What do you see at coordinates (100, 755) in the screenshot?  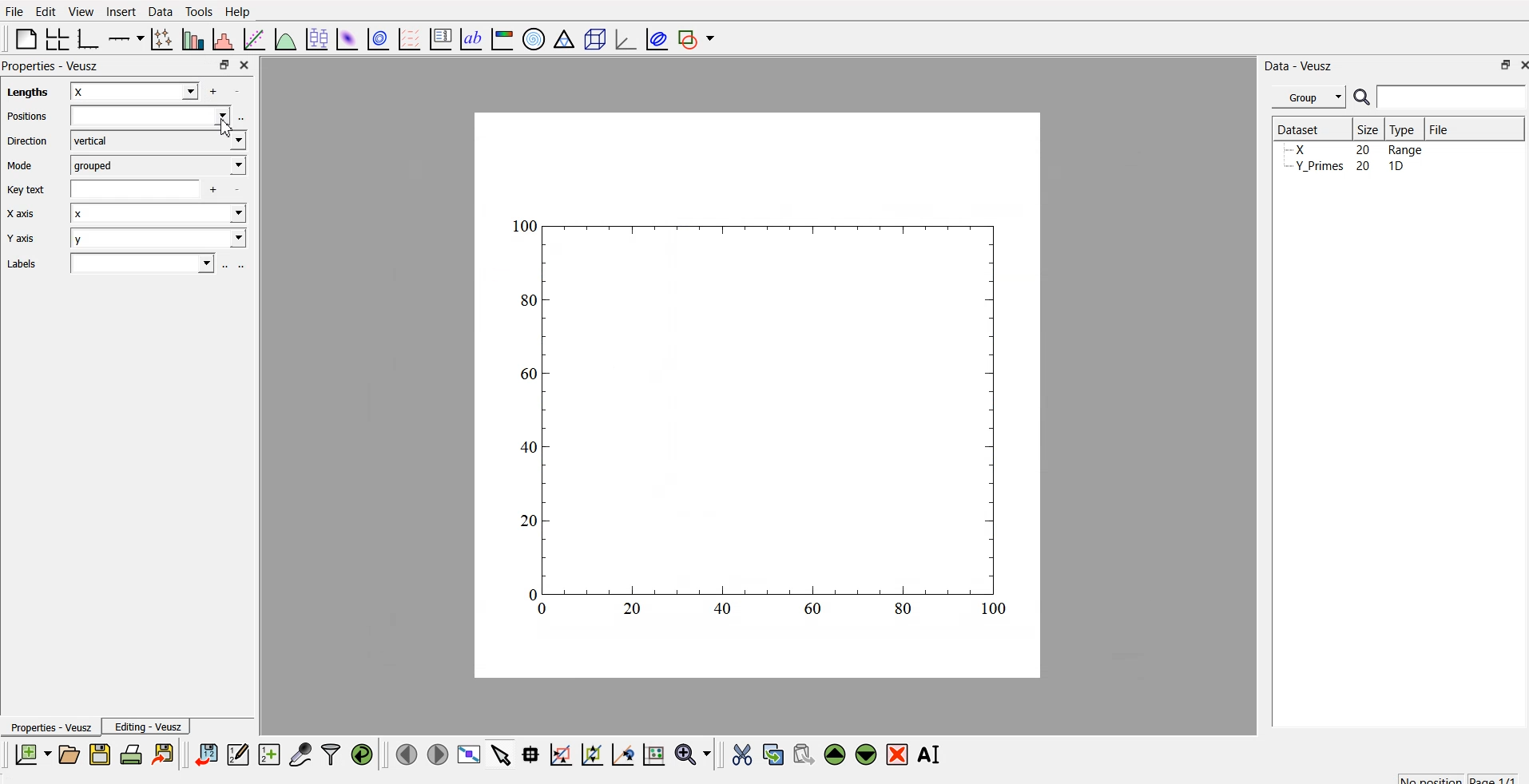 I see `save a document` at bounding box center [100, 755].